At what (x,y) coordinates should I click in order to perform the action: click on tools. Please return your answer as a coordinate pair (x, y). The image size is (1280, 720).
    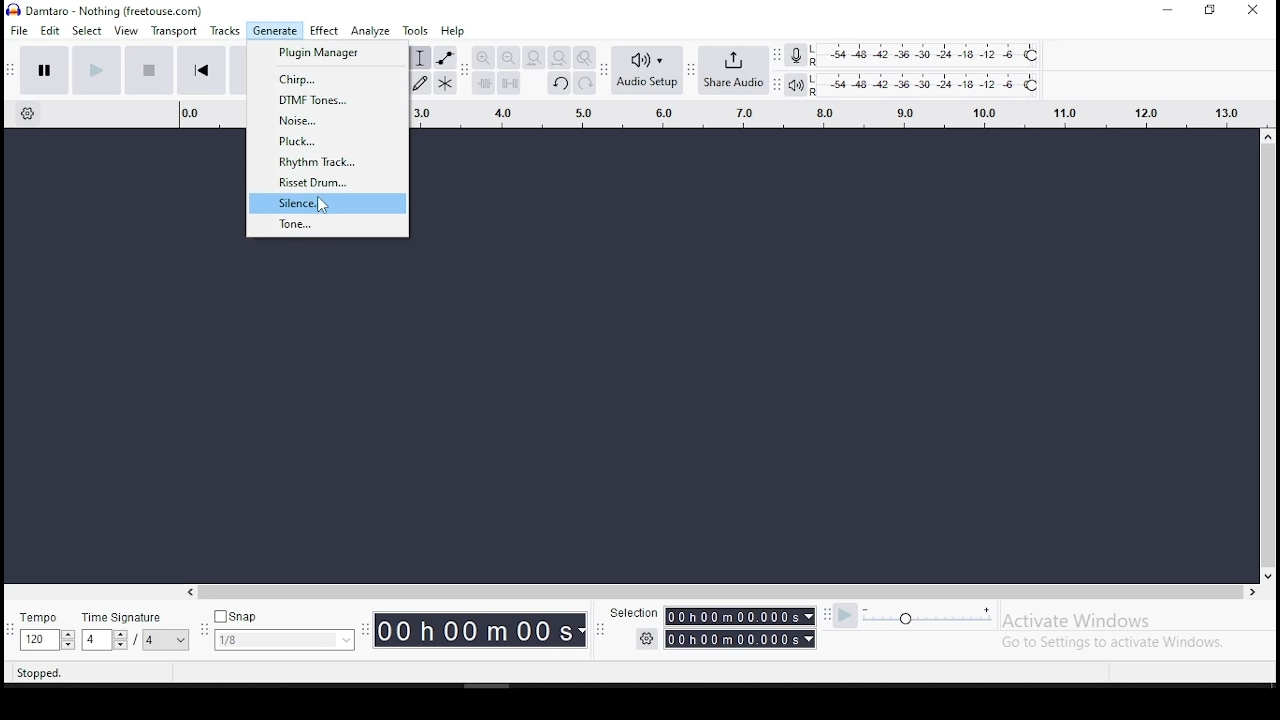
    Looking at the image, I should click on (417, 30).